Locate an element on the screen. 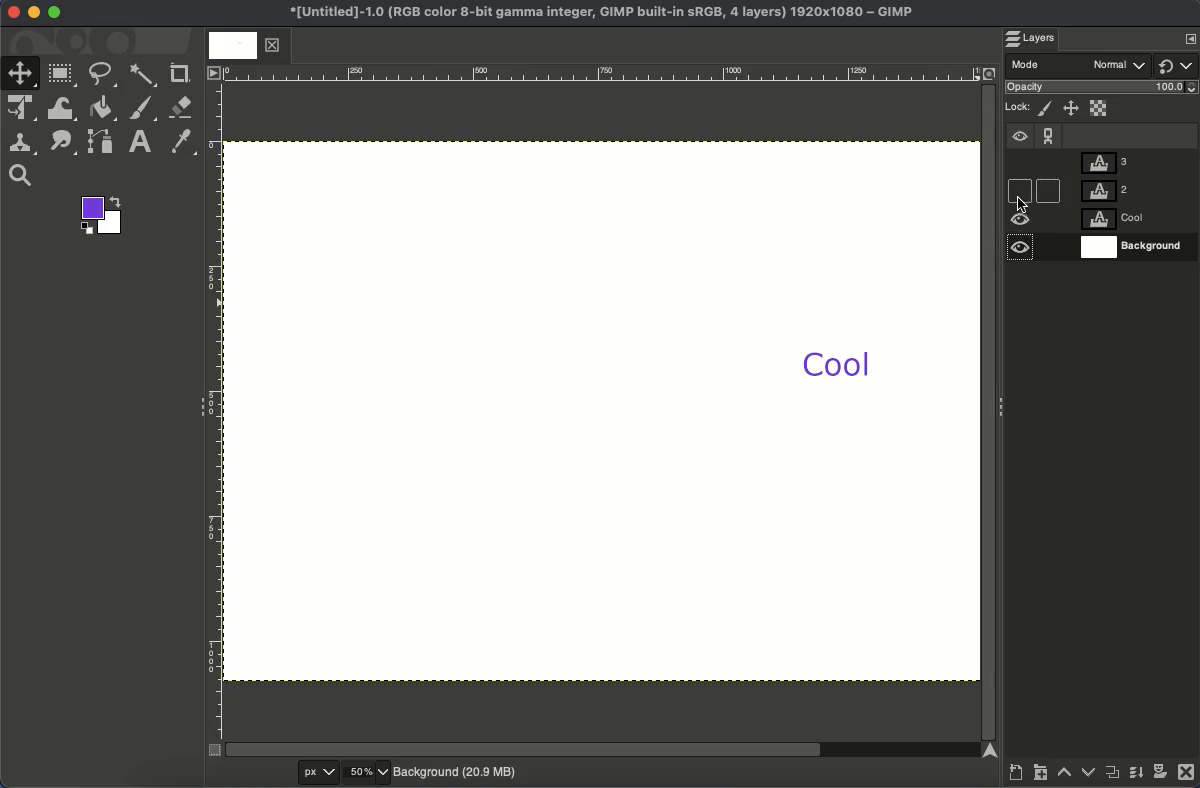  Eraser is located at coordinates (182, 107).